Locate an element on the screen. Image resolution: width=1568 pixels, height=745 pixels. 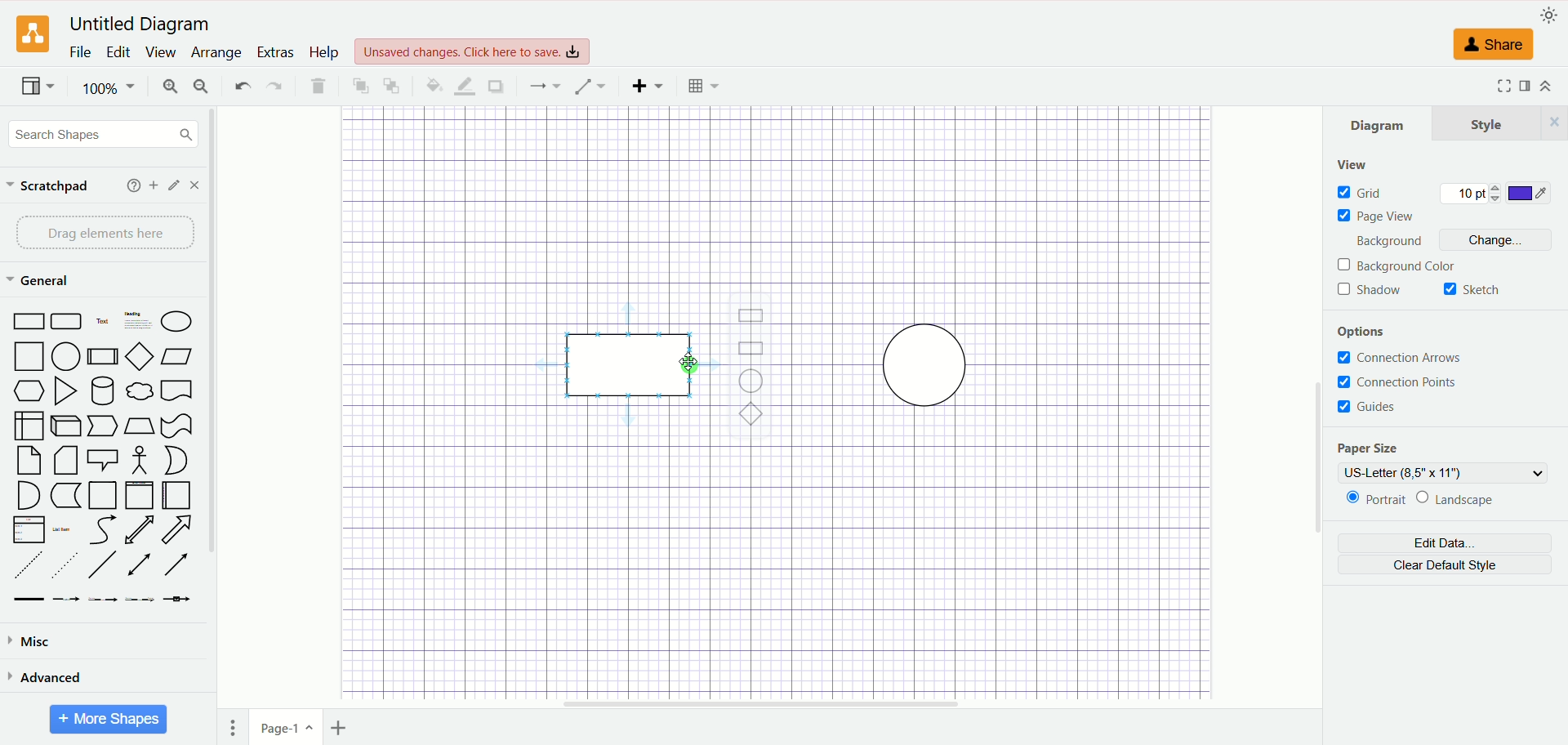
waypoint is located at coordinates (590, 87).